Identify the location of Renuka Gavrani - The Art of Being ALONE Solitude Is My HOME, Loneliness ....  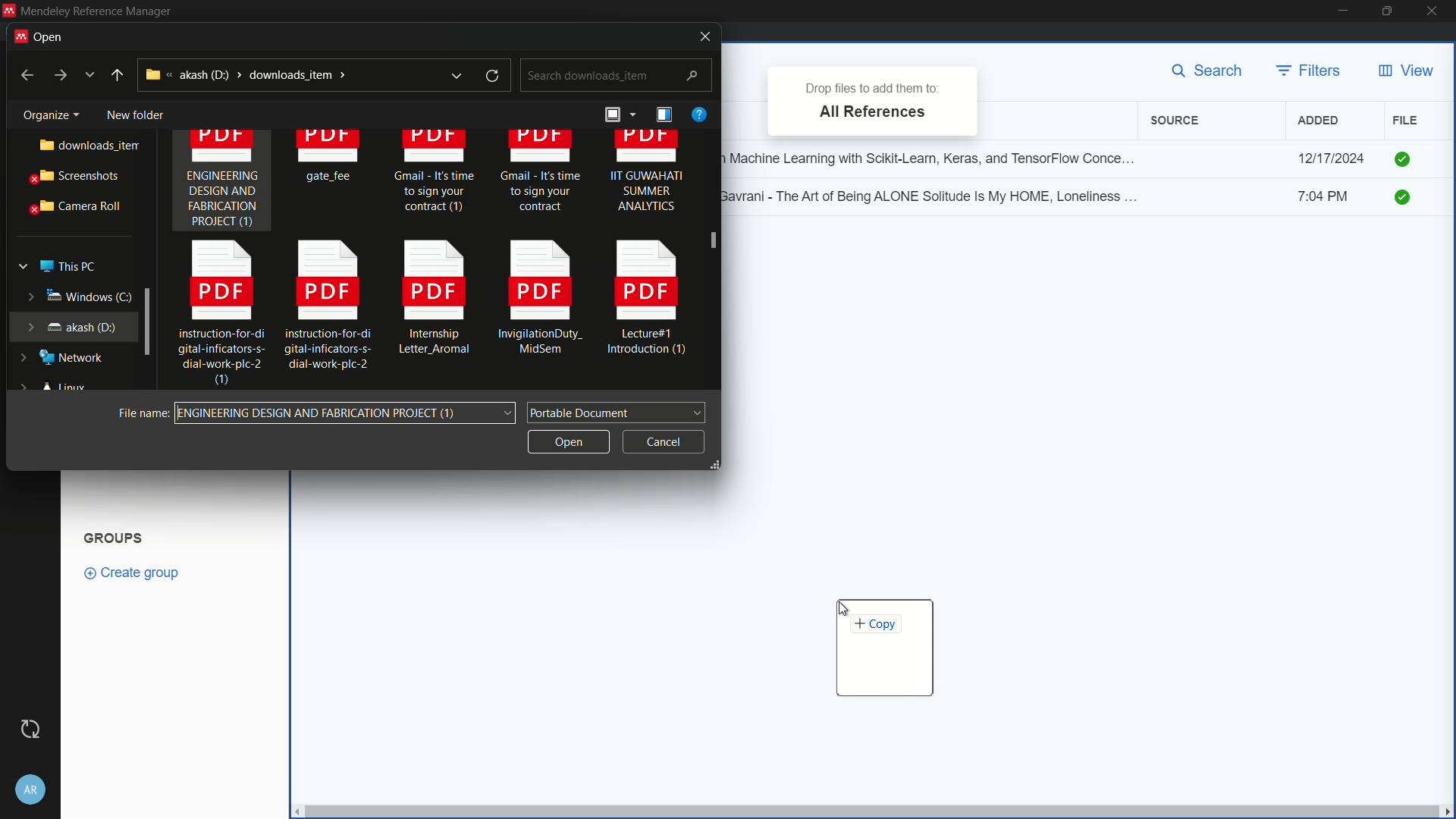
(937, 195).